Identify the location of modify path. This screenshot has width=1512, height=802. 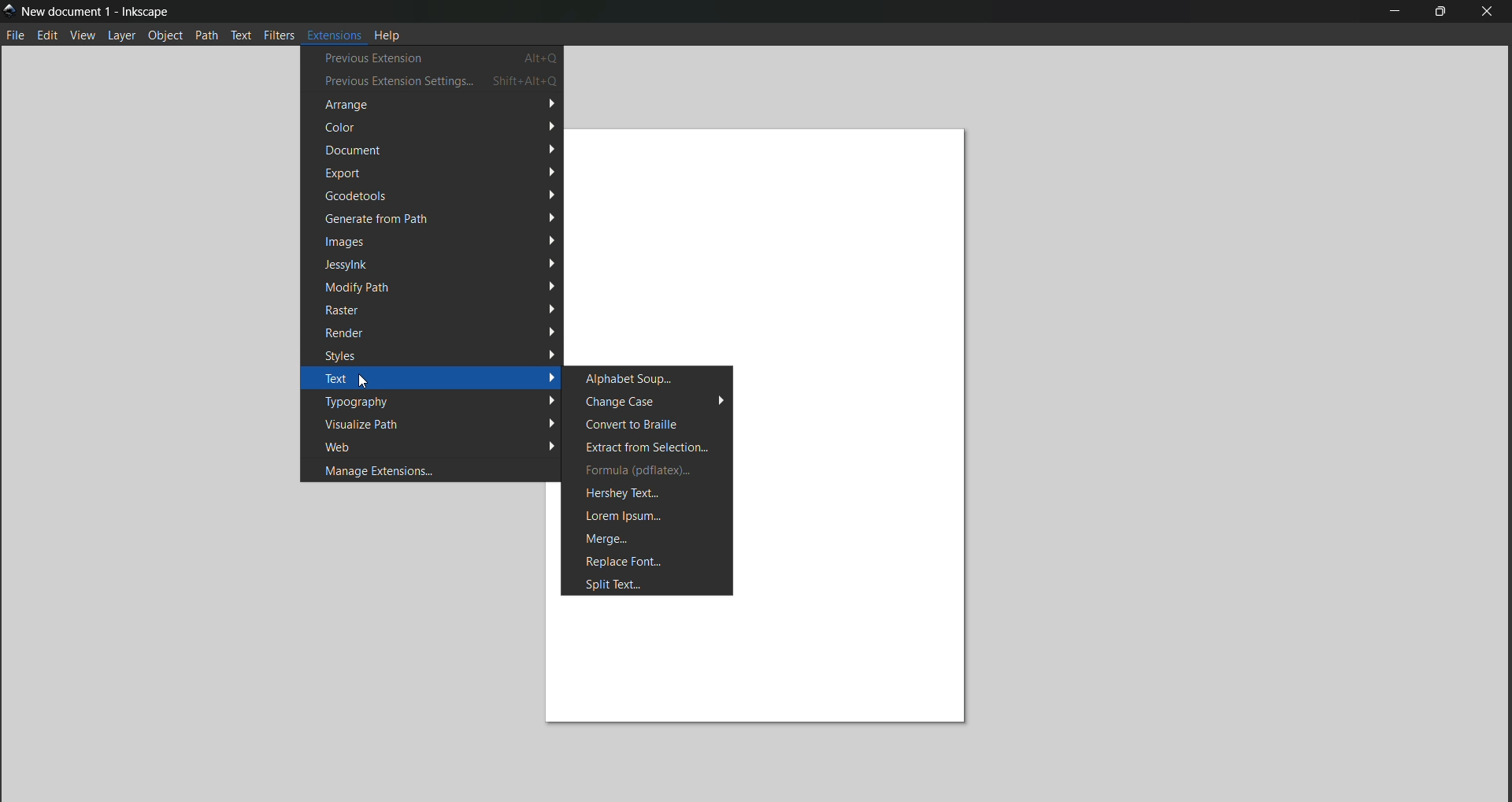
(439, 287).